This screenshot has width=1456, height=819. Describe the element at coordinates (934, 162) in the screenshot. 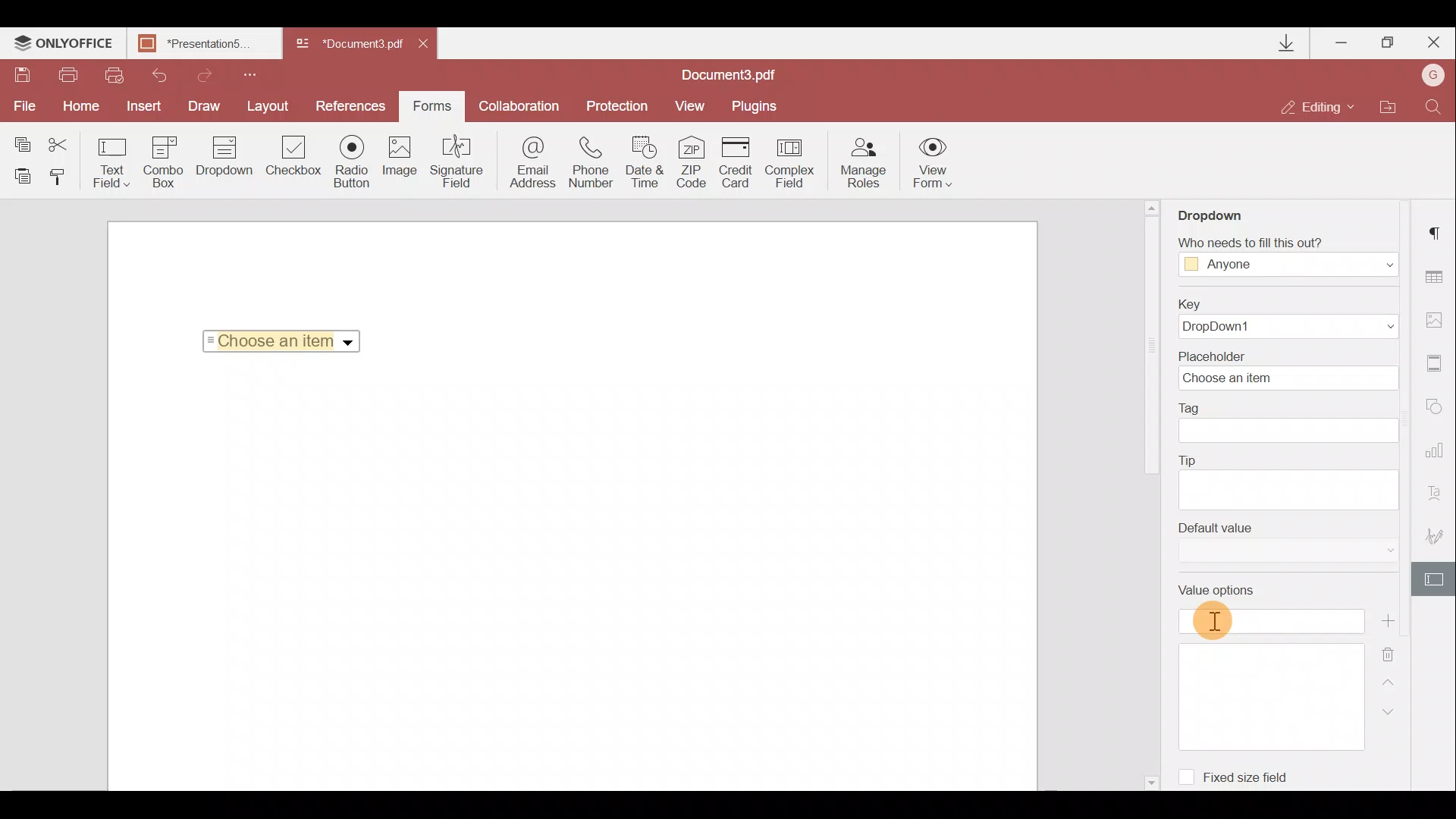

I see `View form` at that location.